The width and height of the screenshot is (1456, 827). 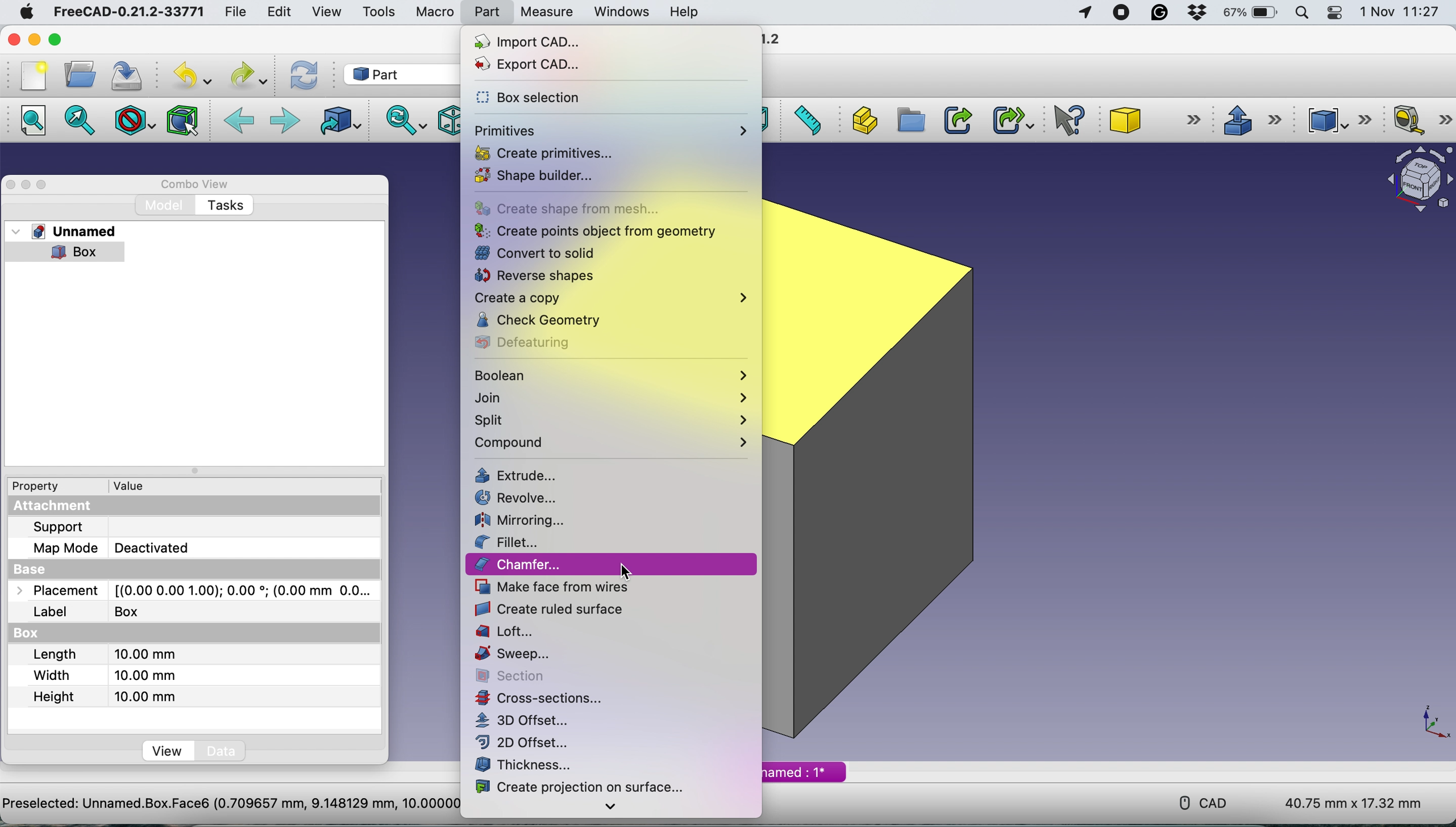 I want to click on view, so click(x=326, y=12).